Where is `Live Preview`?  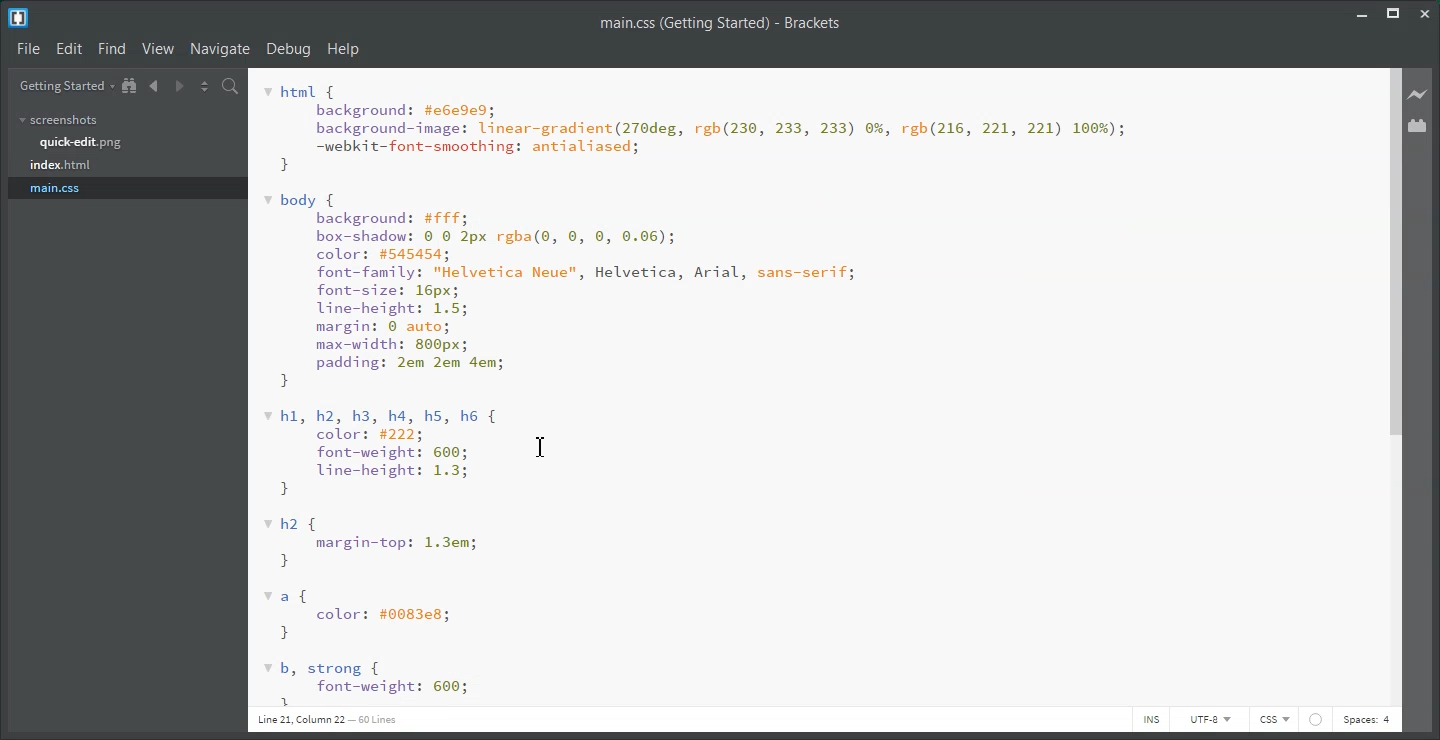 Live Preview is located at coordinates (1422, 94).